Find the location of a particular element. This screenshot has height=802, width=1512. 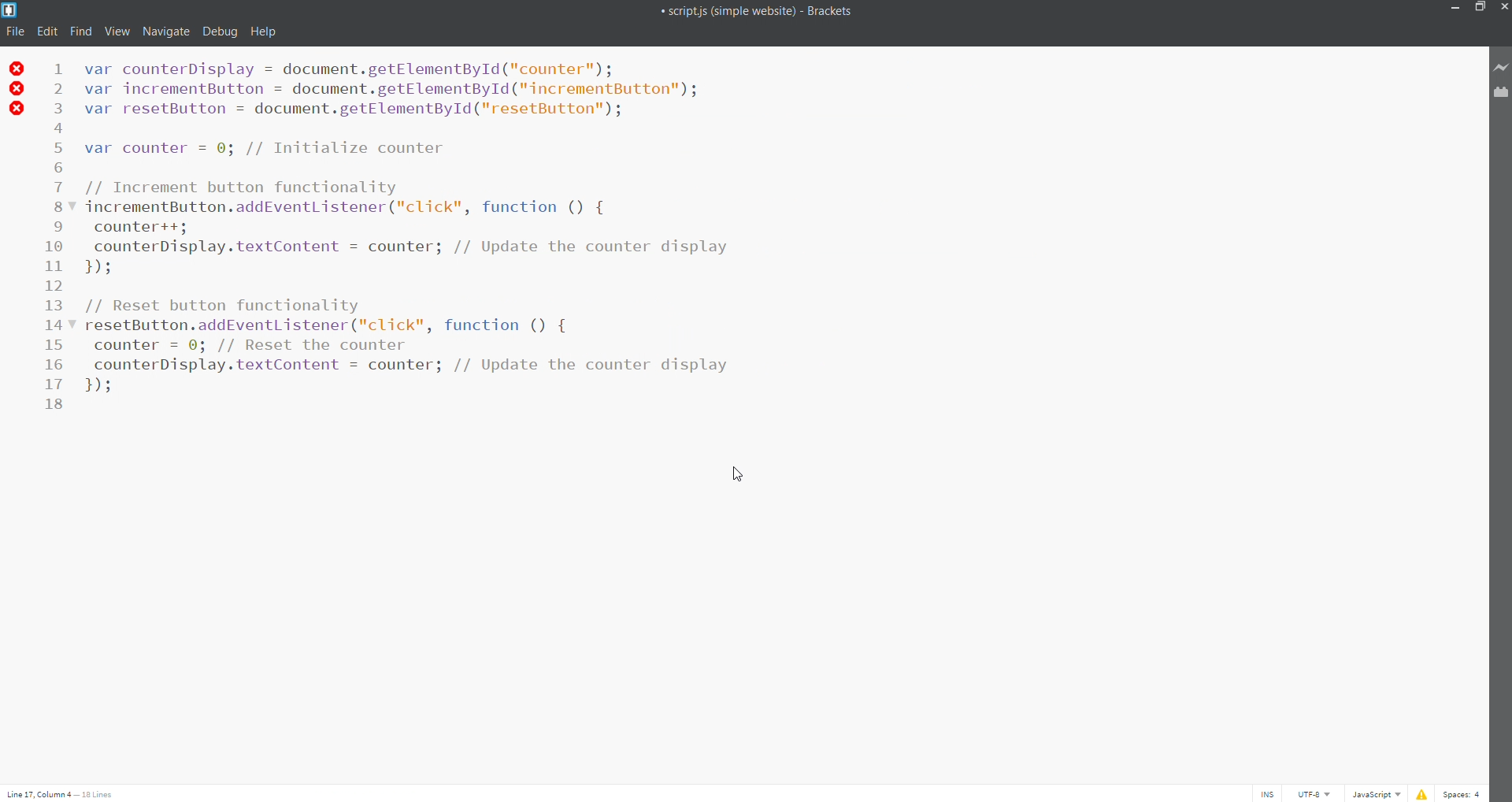

extension manager is located at coordinates (1498, 98).